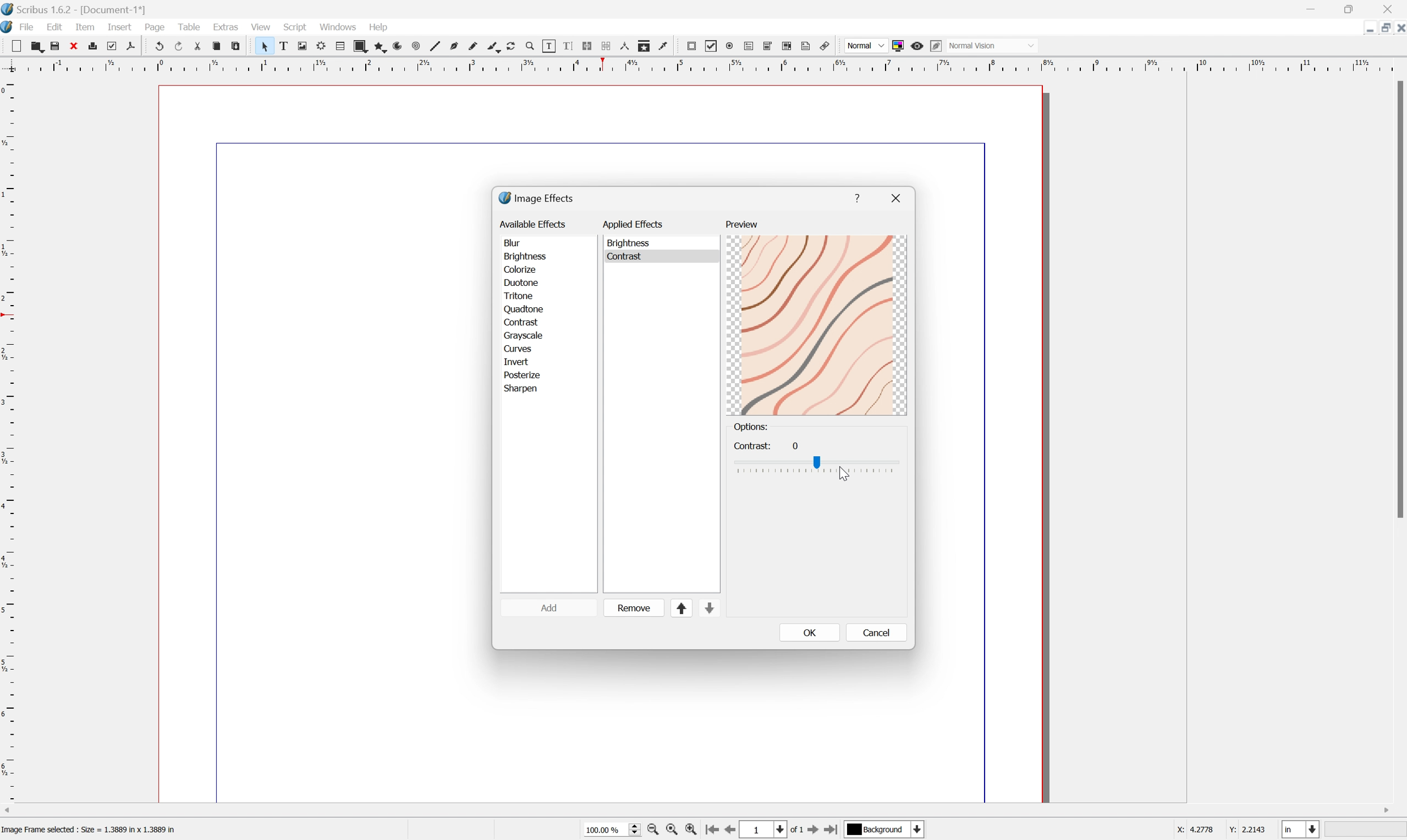 Image resolution: width=1407 pixels, height=840 pixels. I want to click on Table, so click(340, 46).